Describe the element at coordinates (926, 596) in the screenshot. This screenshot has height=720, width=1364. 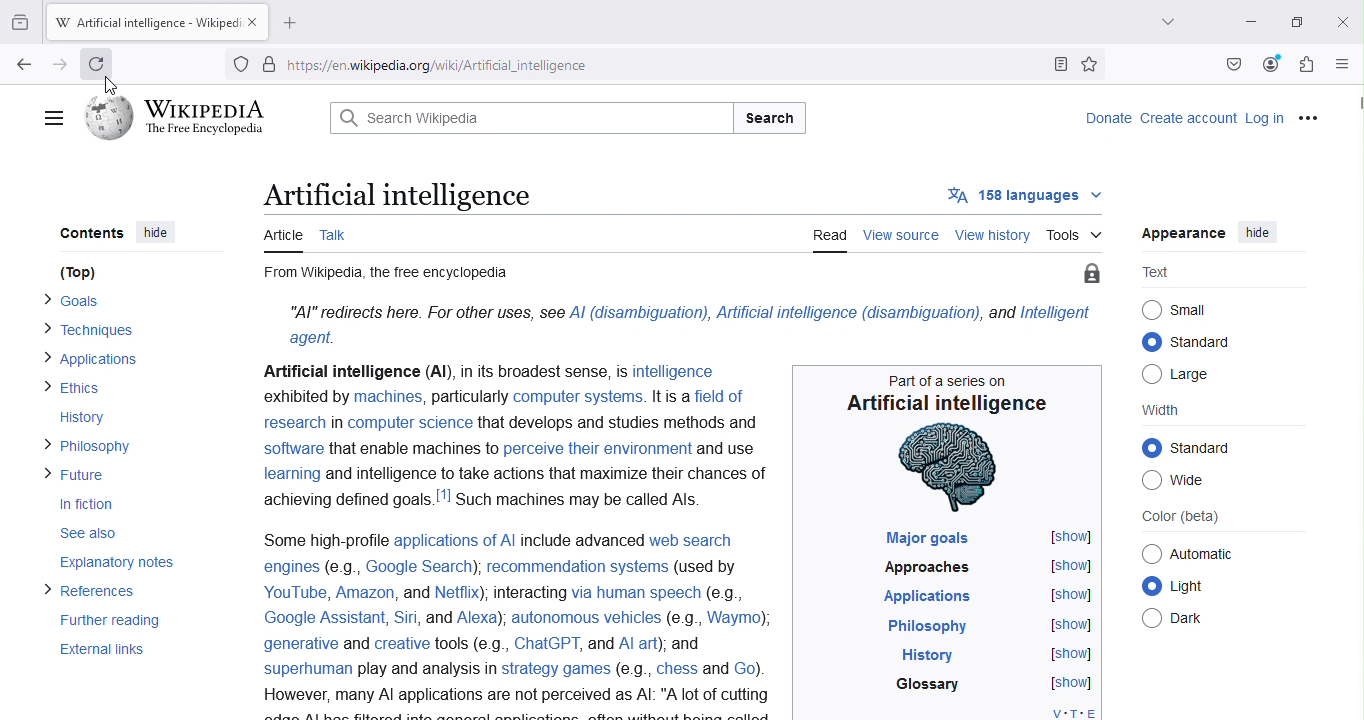
I see `Applications` at that location.